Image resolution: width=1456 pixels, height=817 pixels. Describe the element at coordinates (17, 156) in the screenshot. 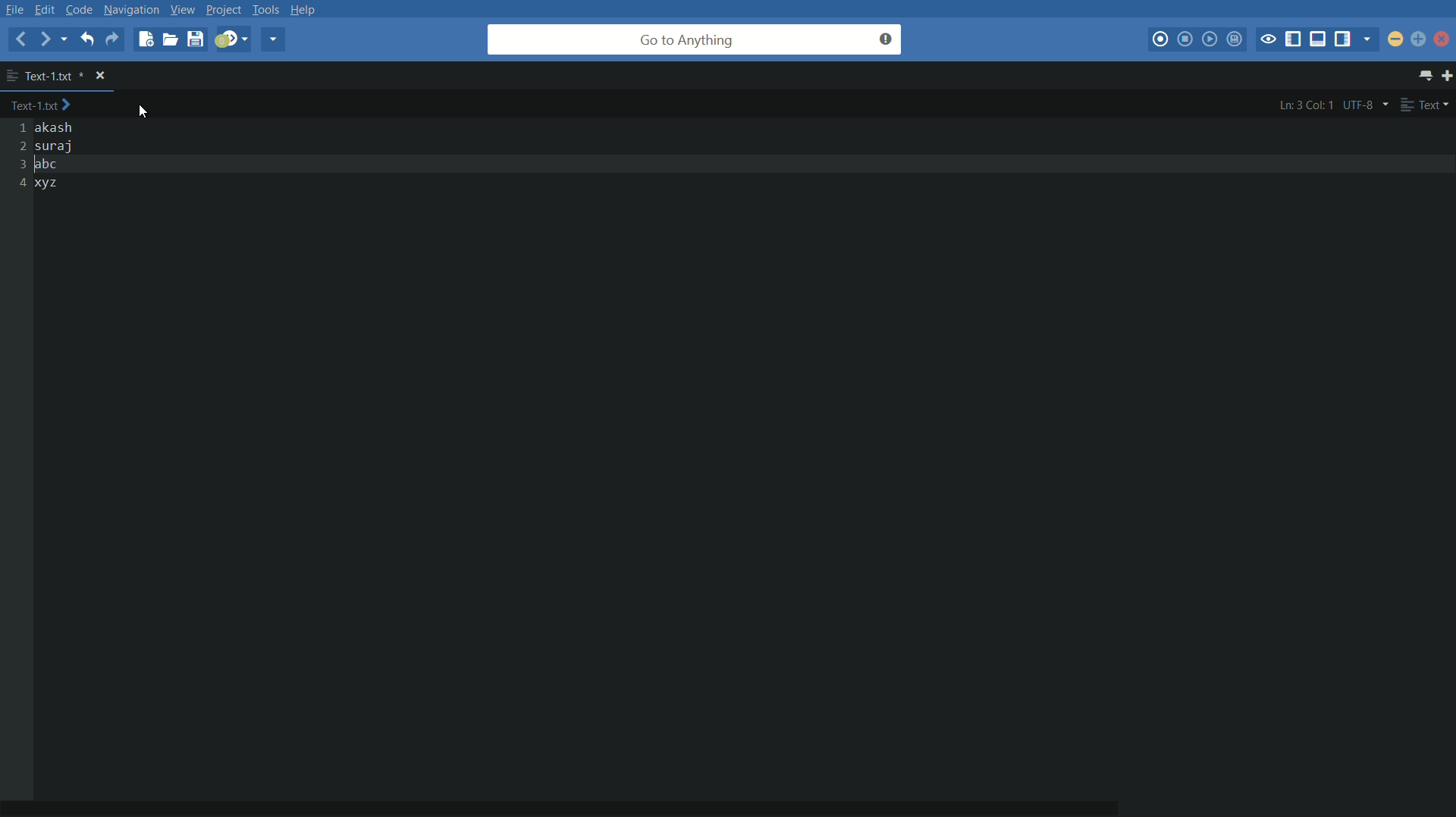

I see `1 2 3 4` at that location.